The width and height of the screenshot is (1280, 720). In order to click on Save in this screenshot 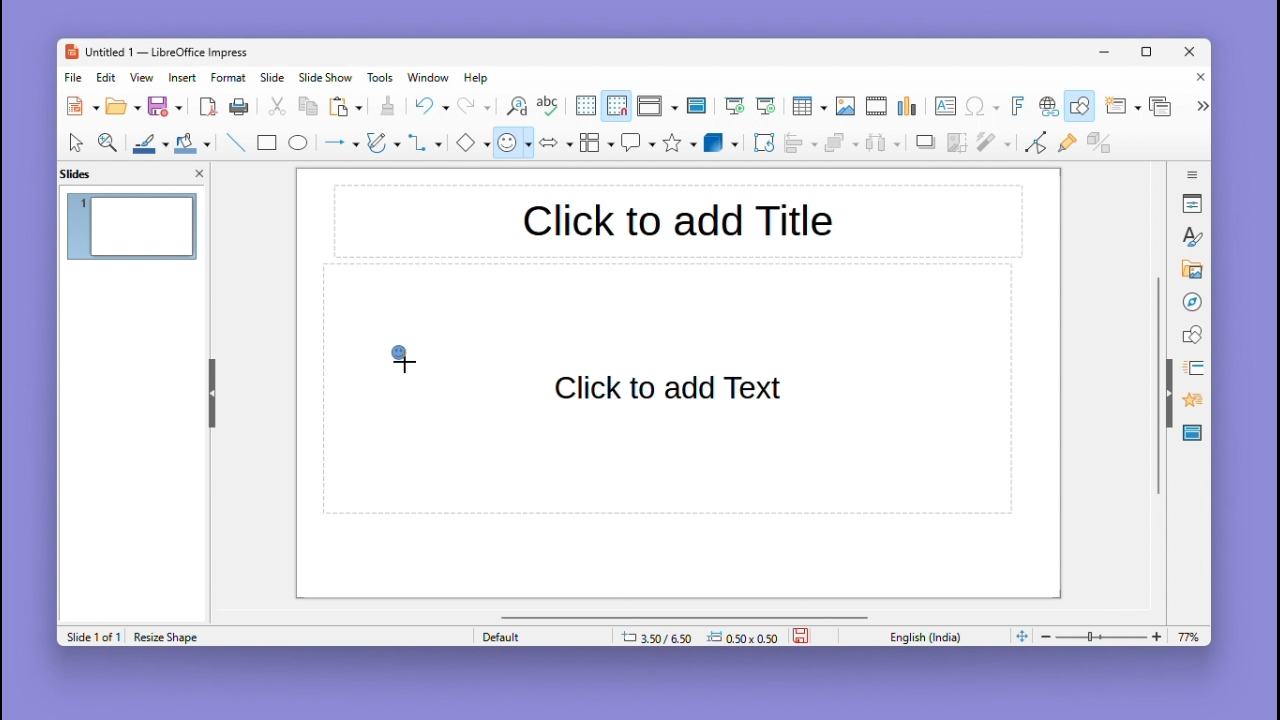, I will do `click(166, 106)`.